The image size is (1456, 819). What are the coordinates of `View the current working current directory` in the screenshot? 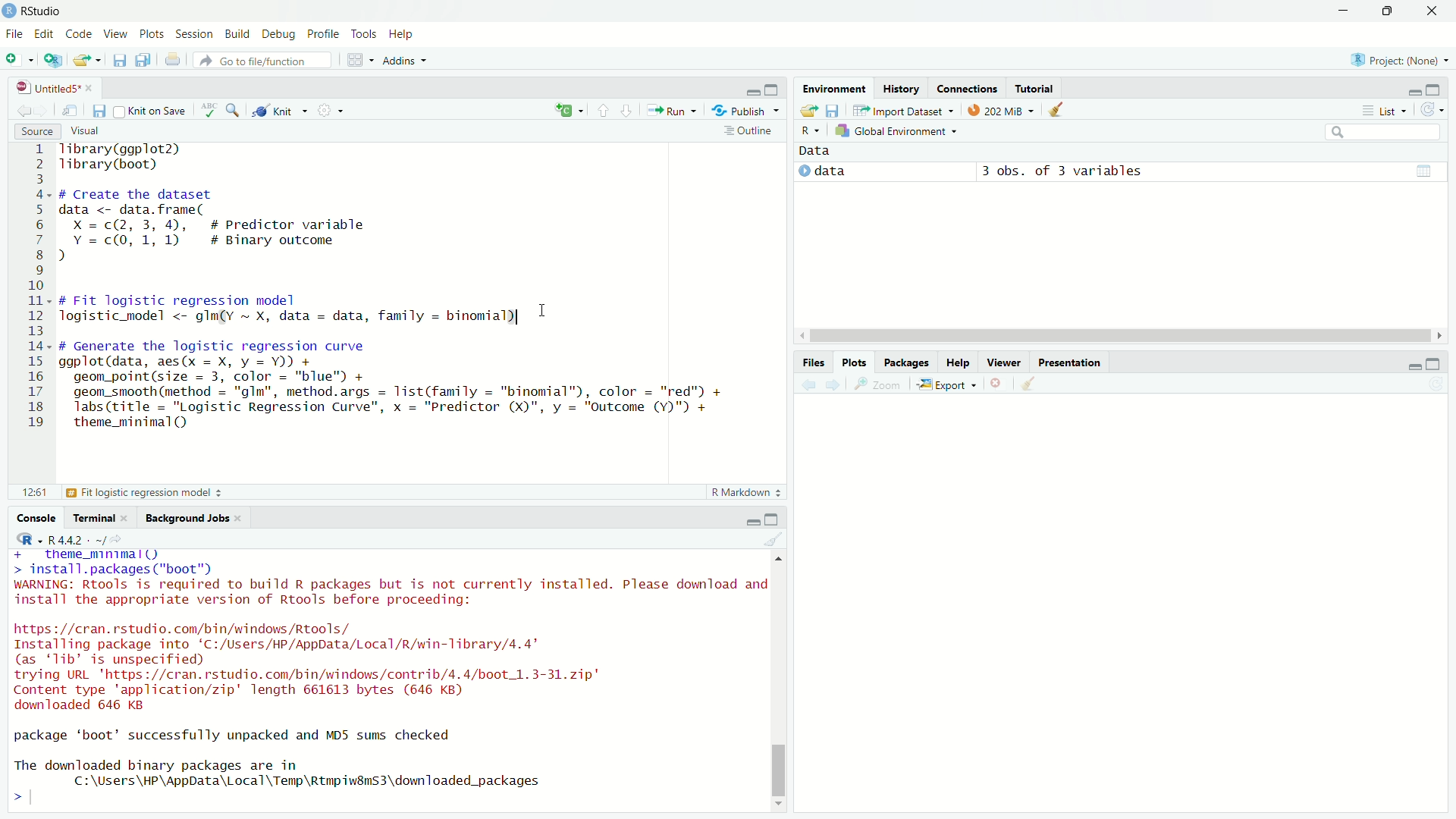 It's located at (117, 538).